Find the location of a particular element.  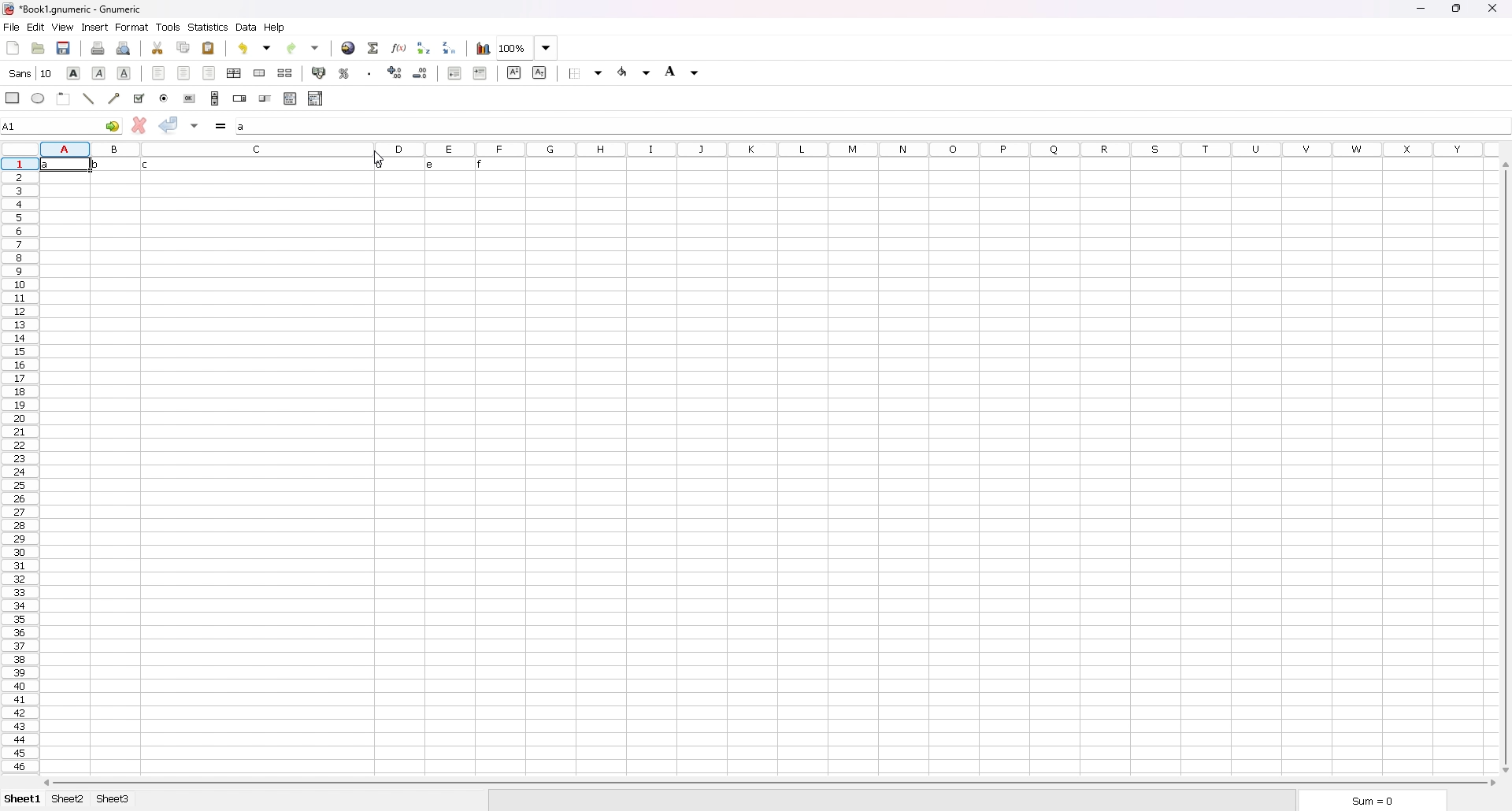

edit is located at coordinates (36, 27).